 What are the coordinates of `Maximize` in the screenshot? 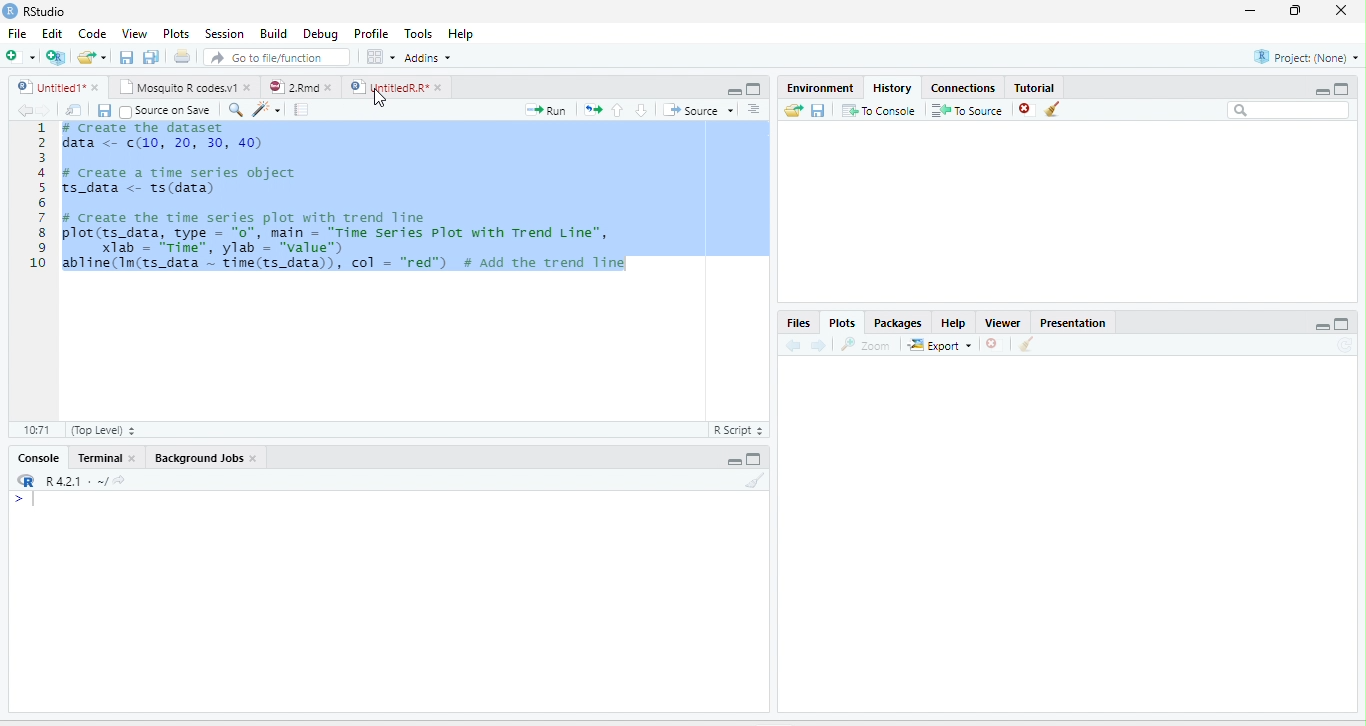 It's located at (755, 459).